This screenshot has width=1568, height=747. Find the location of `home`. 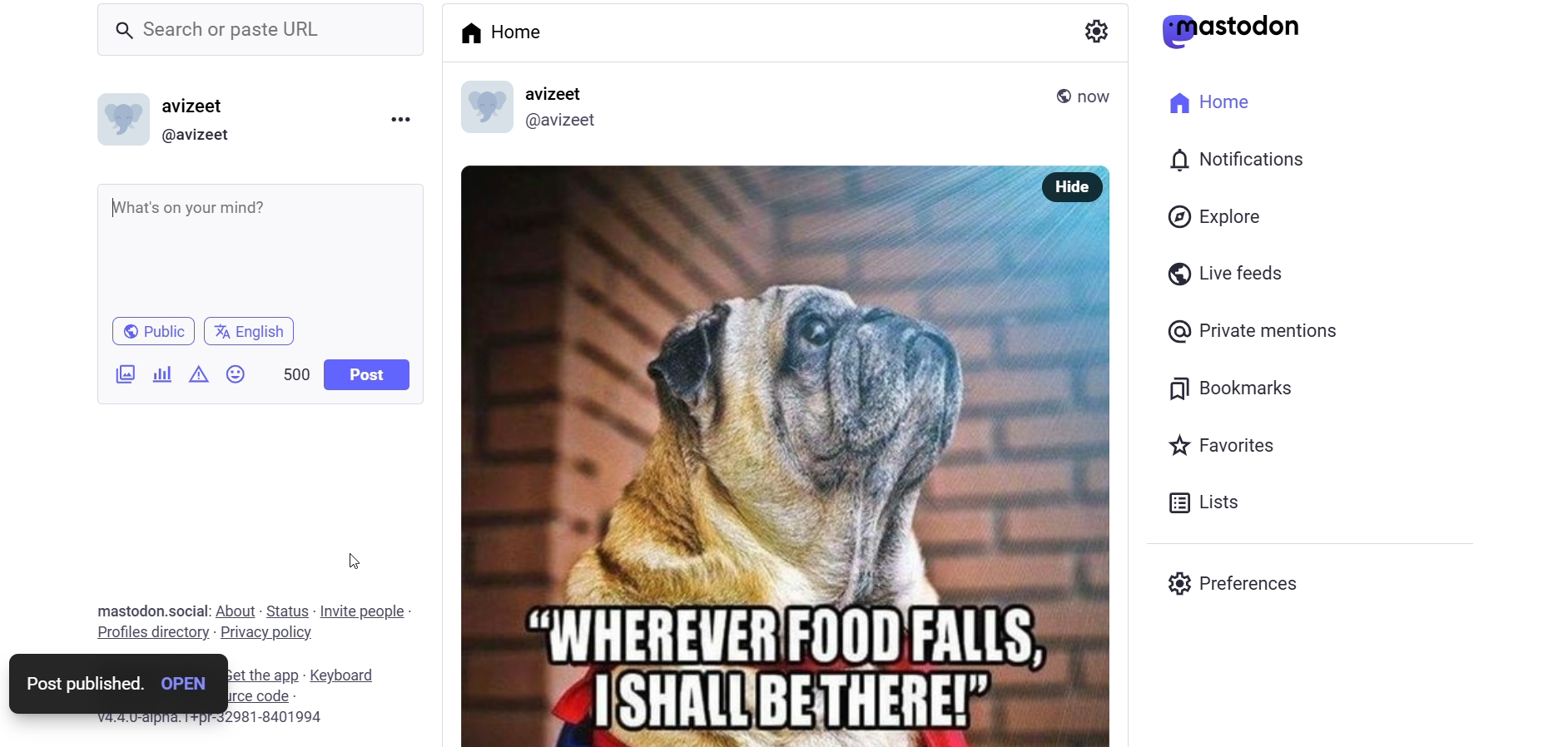

home is located at coordinates (1215, 101).